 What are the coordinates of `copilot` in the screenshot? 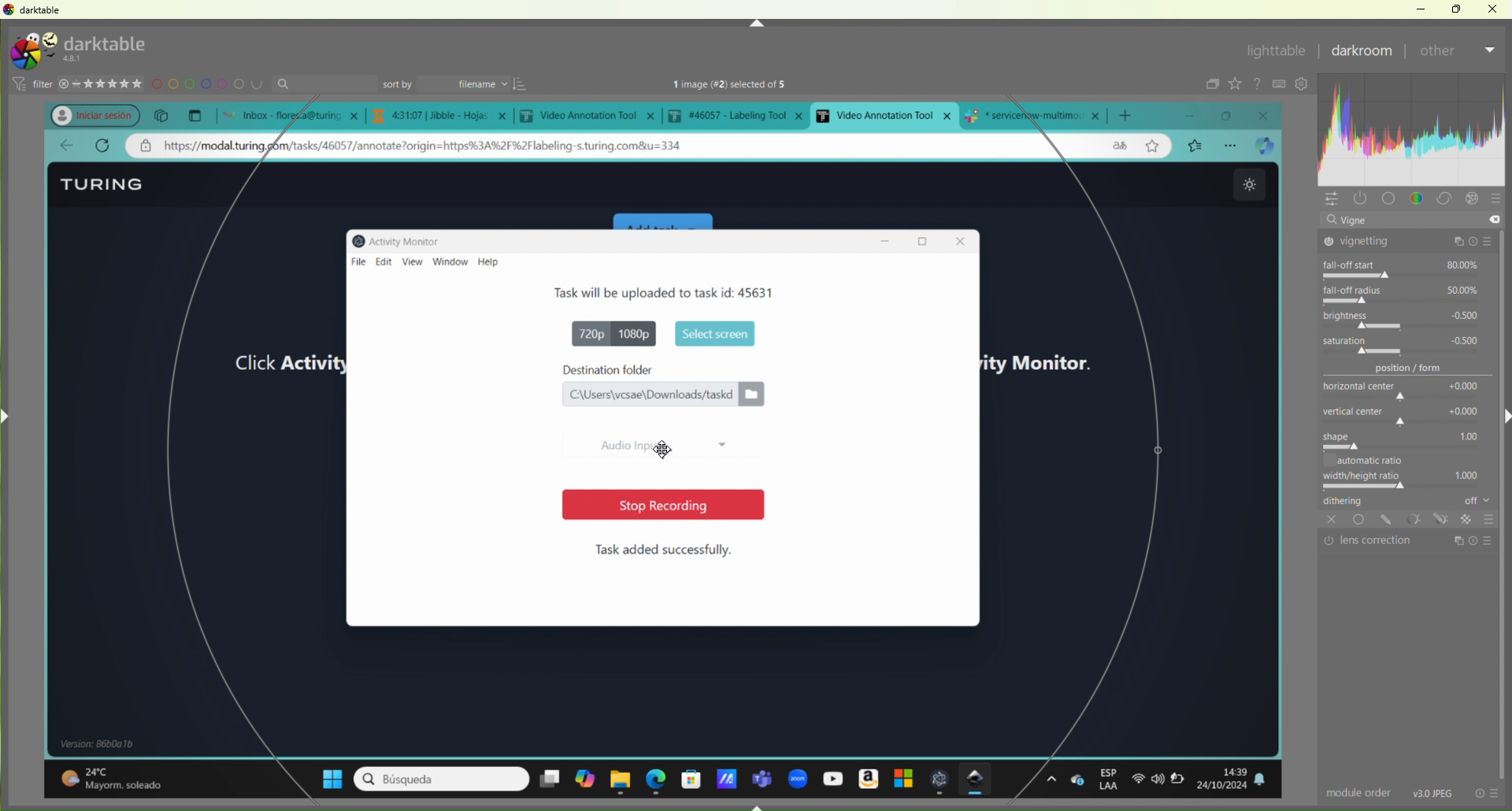 It's located at (584, 781).